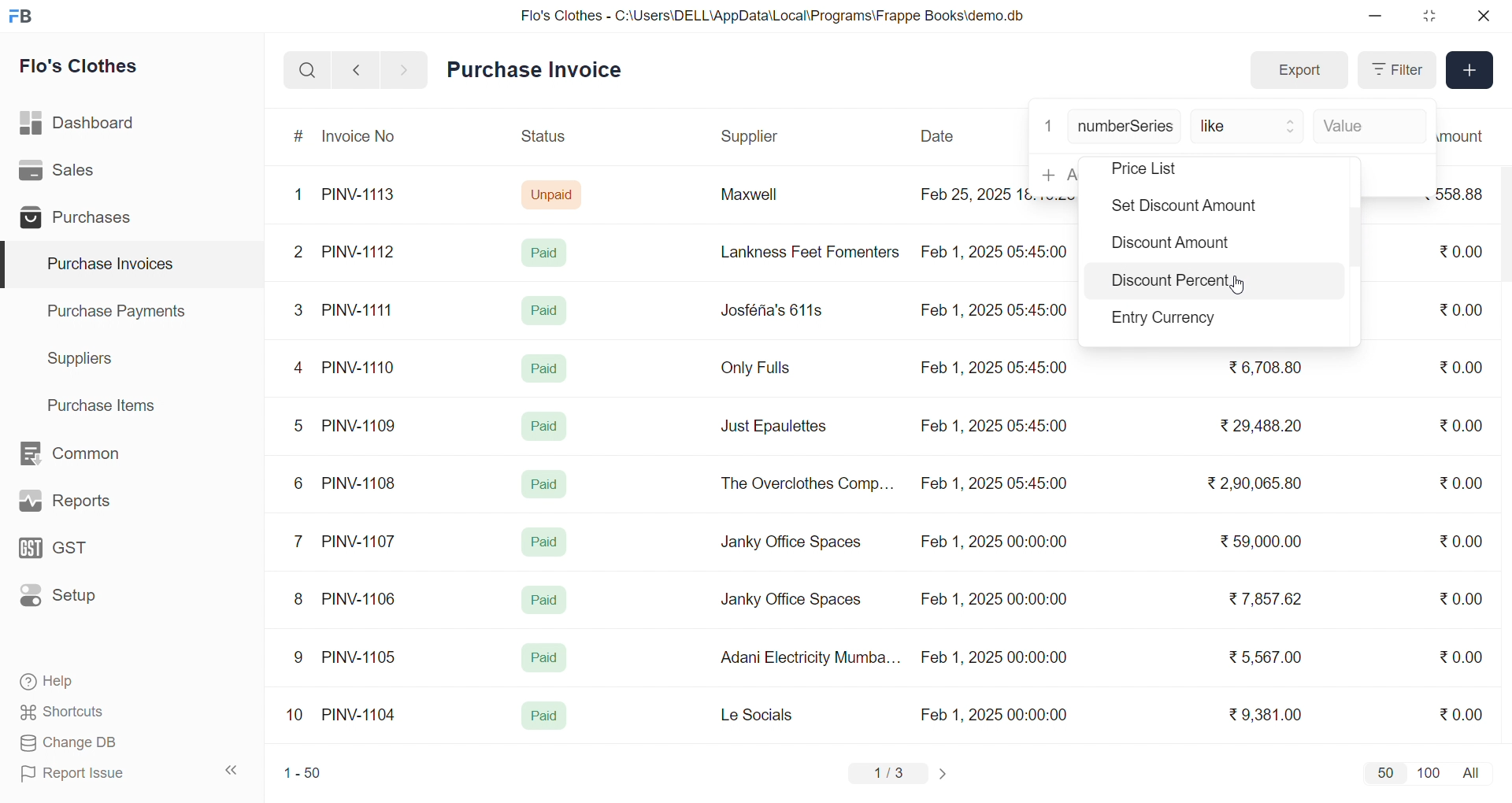 The height and width of the screenshot is (803, 1512). What do you see at coordinates (360, 367) in the screenshot?
I see `PINV-1110` at bounding box center [360, 367].